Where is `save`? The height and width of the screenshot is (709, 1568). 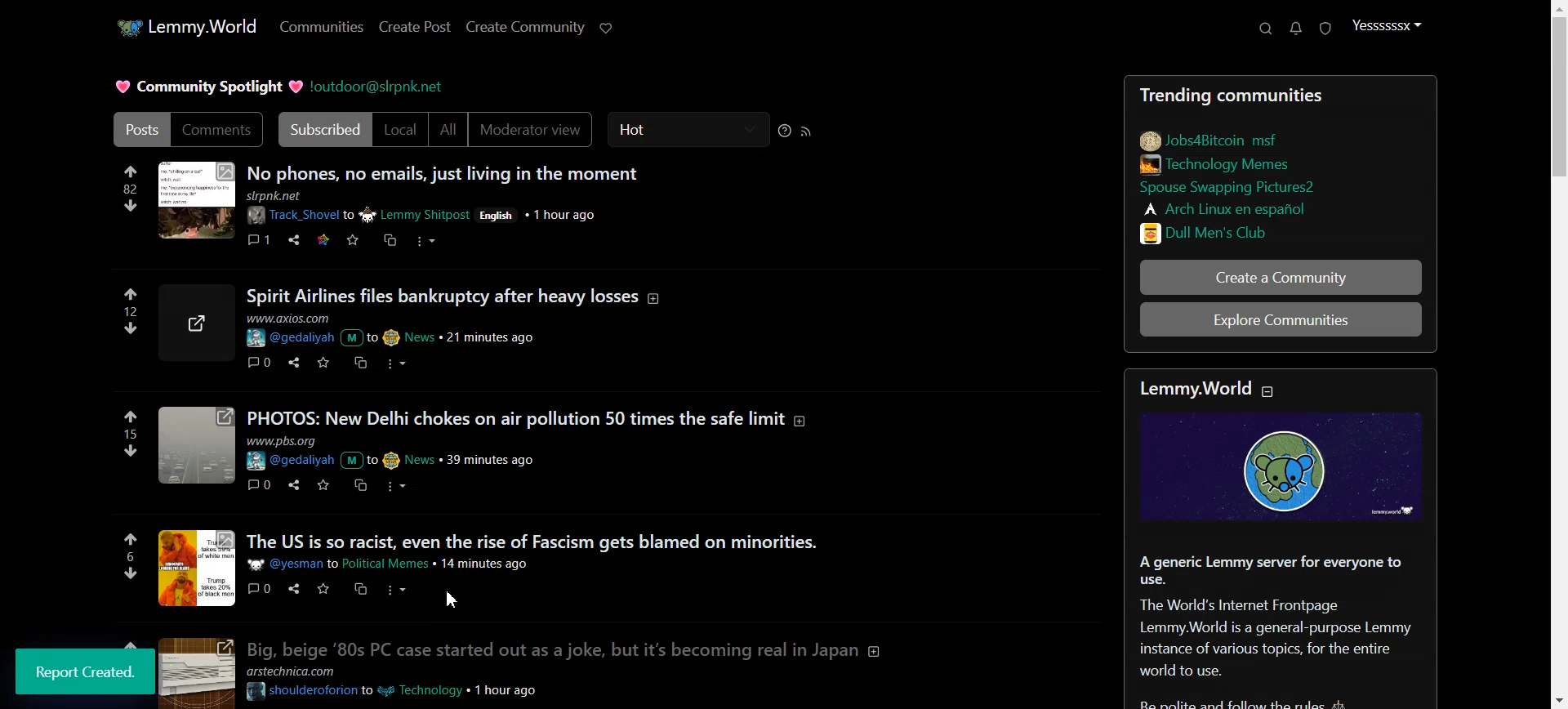 save is located at coordinates (323, 589).